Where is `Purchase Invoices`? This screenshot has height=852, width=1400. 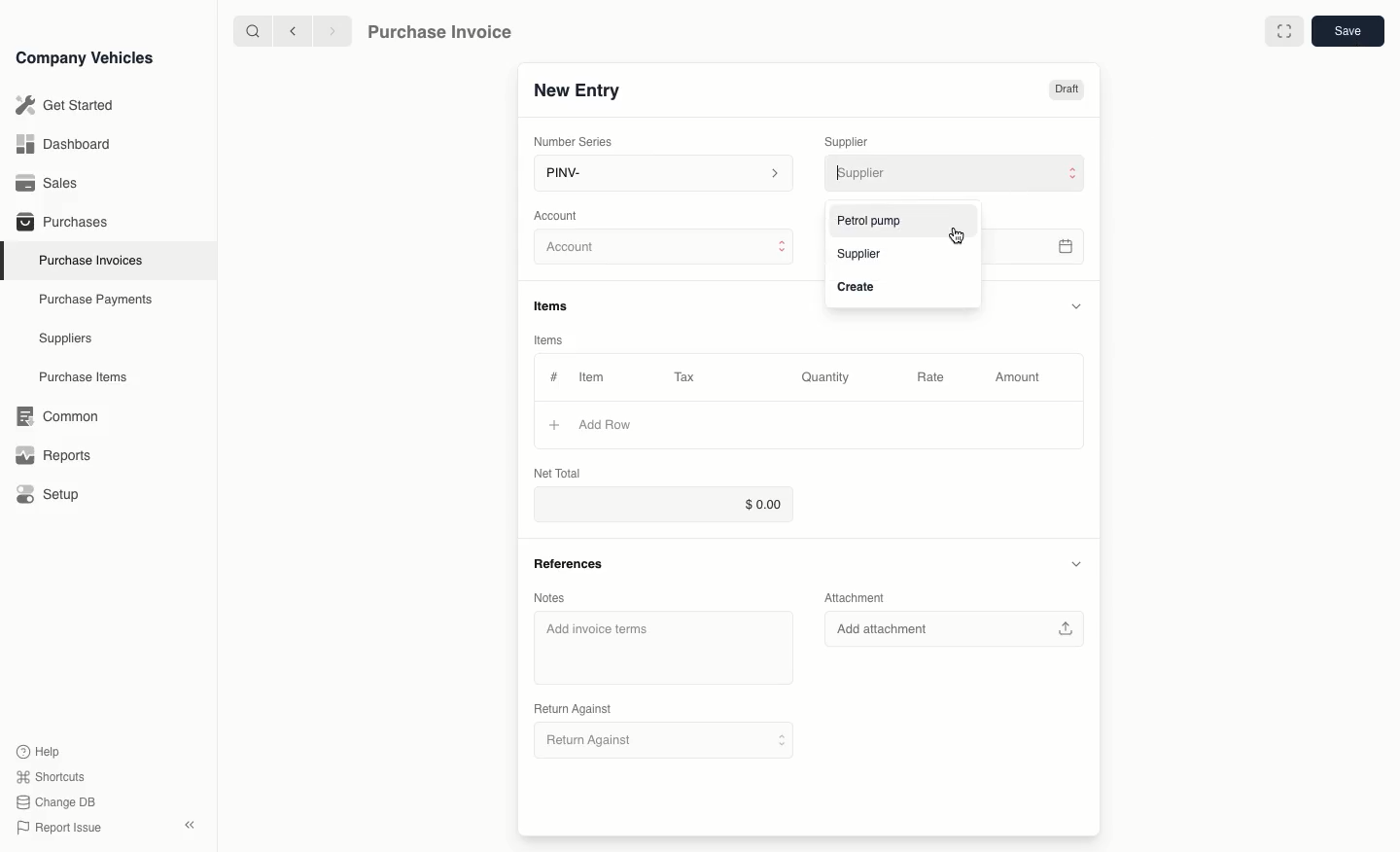
Purchase Invoices is located at coordinates (87, 260).